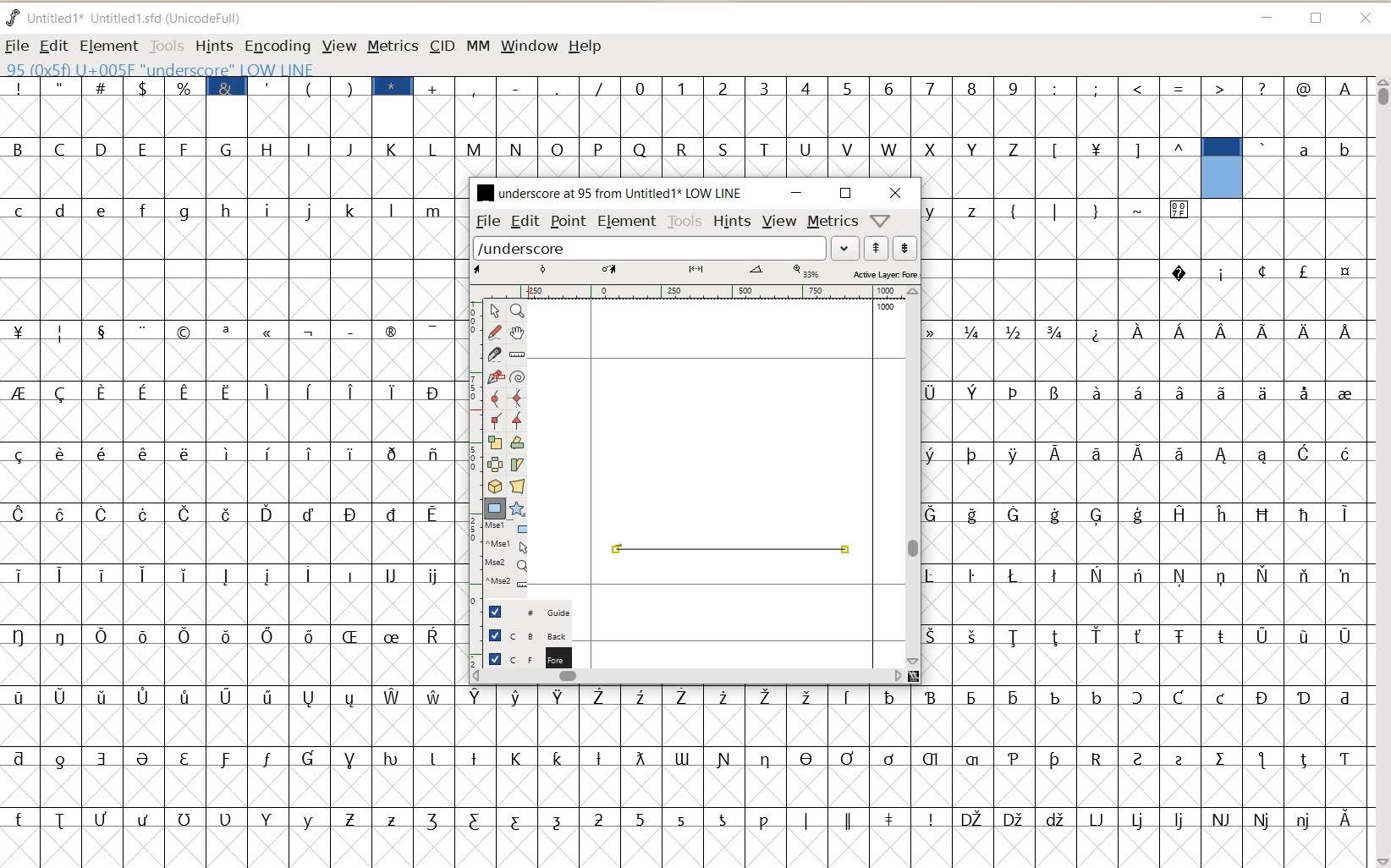 The image size is (1391, 868). What do you see at coordinates (495, 377) in the screenshot?
I see `add a point, then drag out its control points` at bounding box center [495, 377].